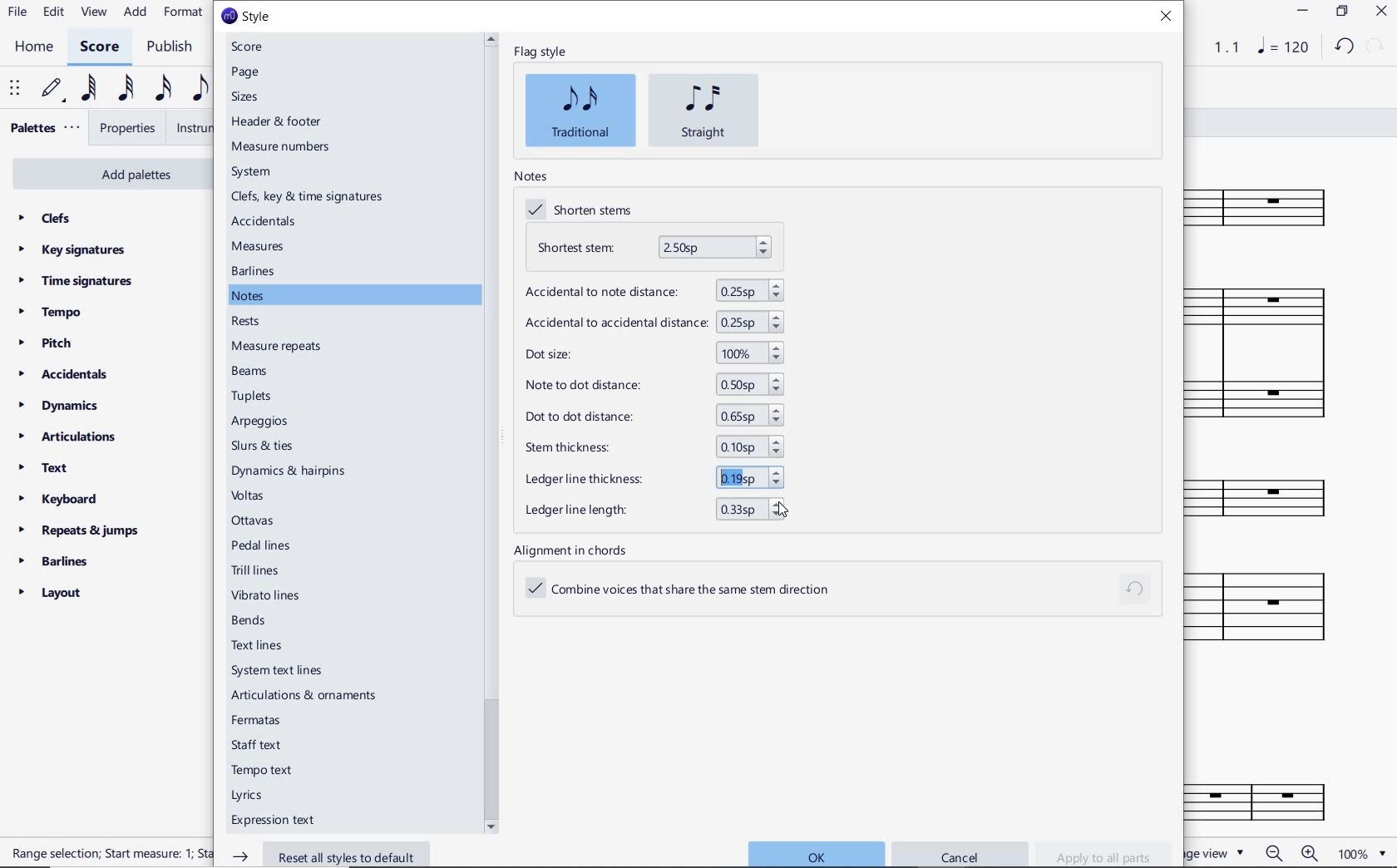 This screenshot has width=1397, height=868. What do you see at coordinates (266, 545) in the screenshot?
I see `pedal lines` at bounding box center [266, 545].